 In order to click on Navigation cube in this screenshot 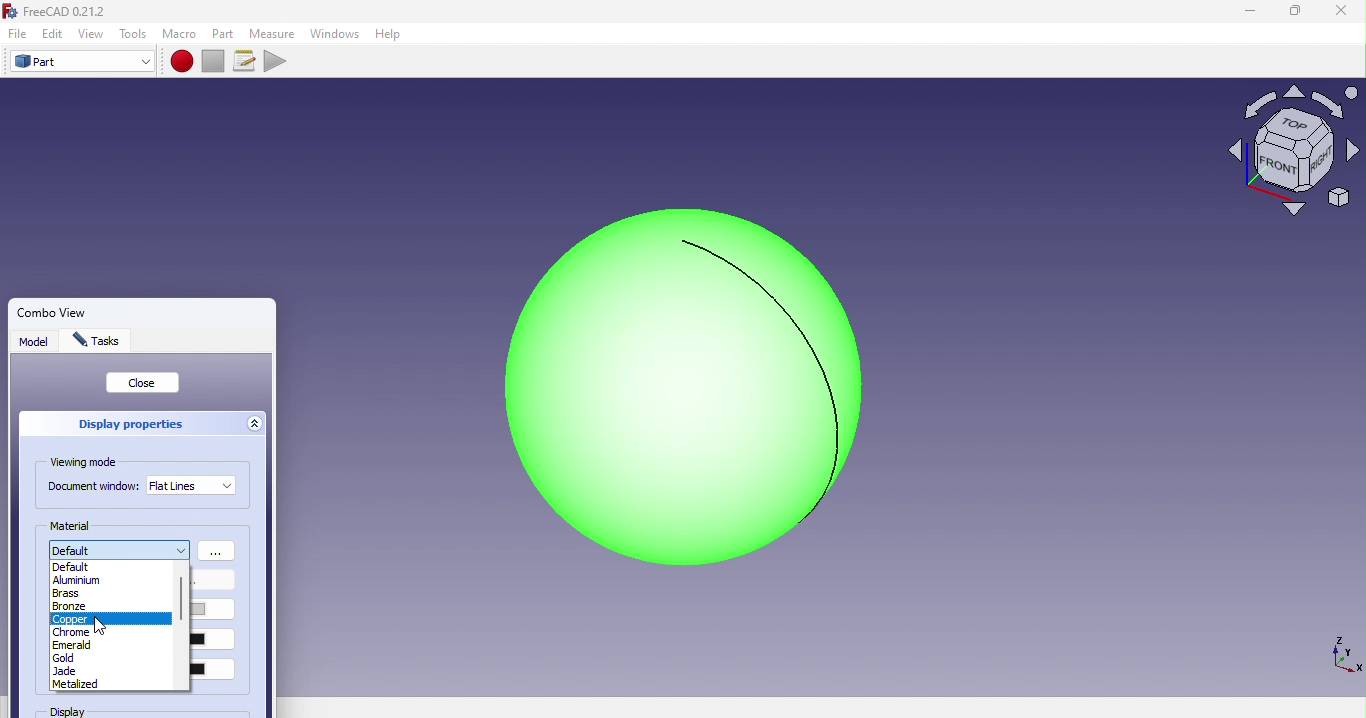, I will do `click(1293, 158)`.